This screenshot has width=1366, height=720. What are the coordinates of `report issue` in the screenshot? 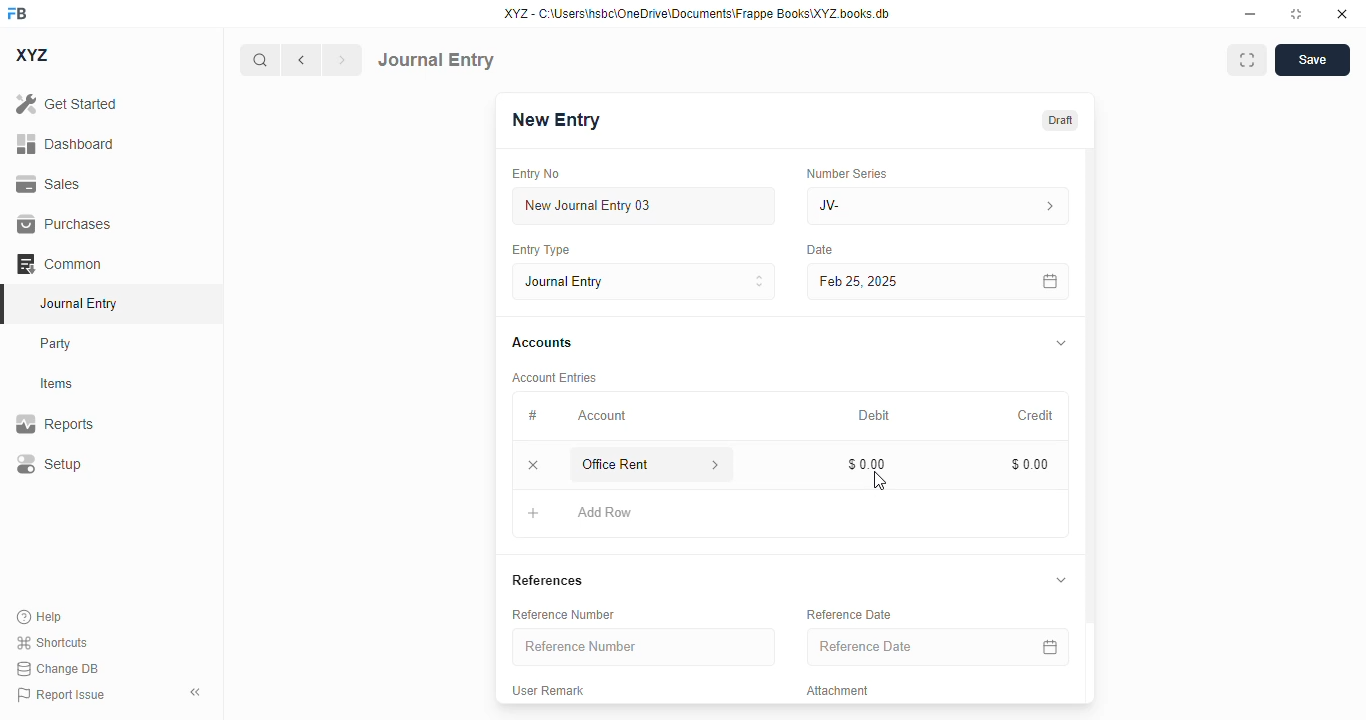 It's located at (61, 695).